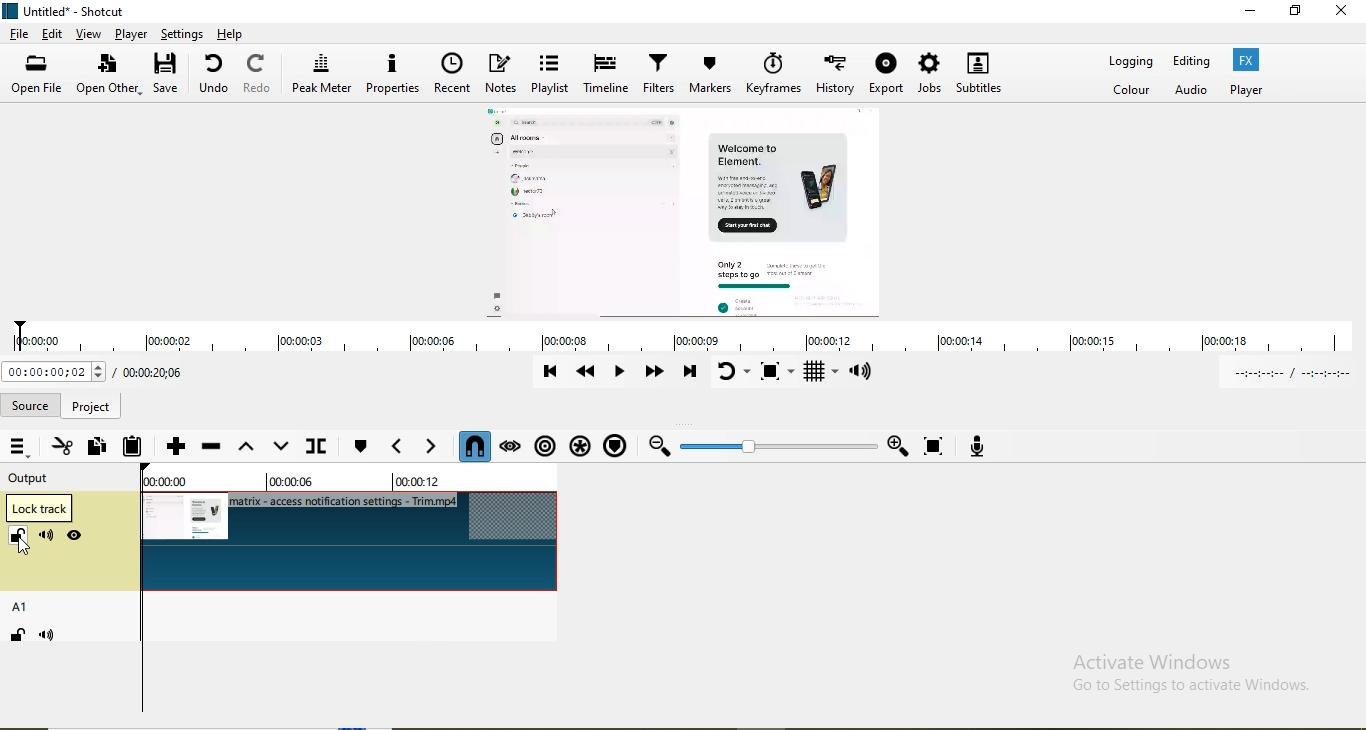  What do you see at coordinates (170, 73) in the screenshot?
I see `Save` at bounding box center [170, 73].